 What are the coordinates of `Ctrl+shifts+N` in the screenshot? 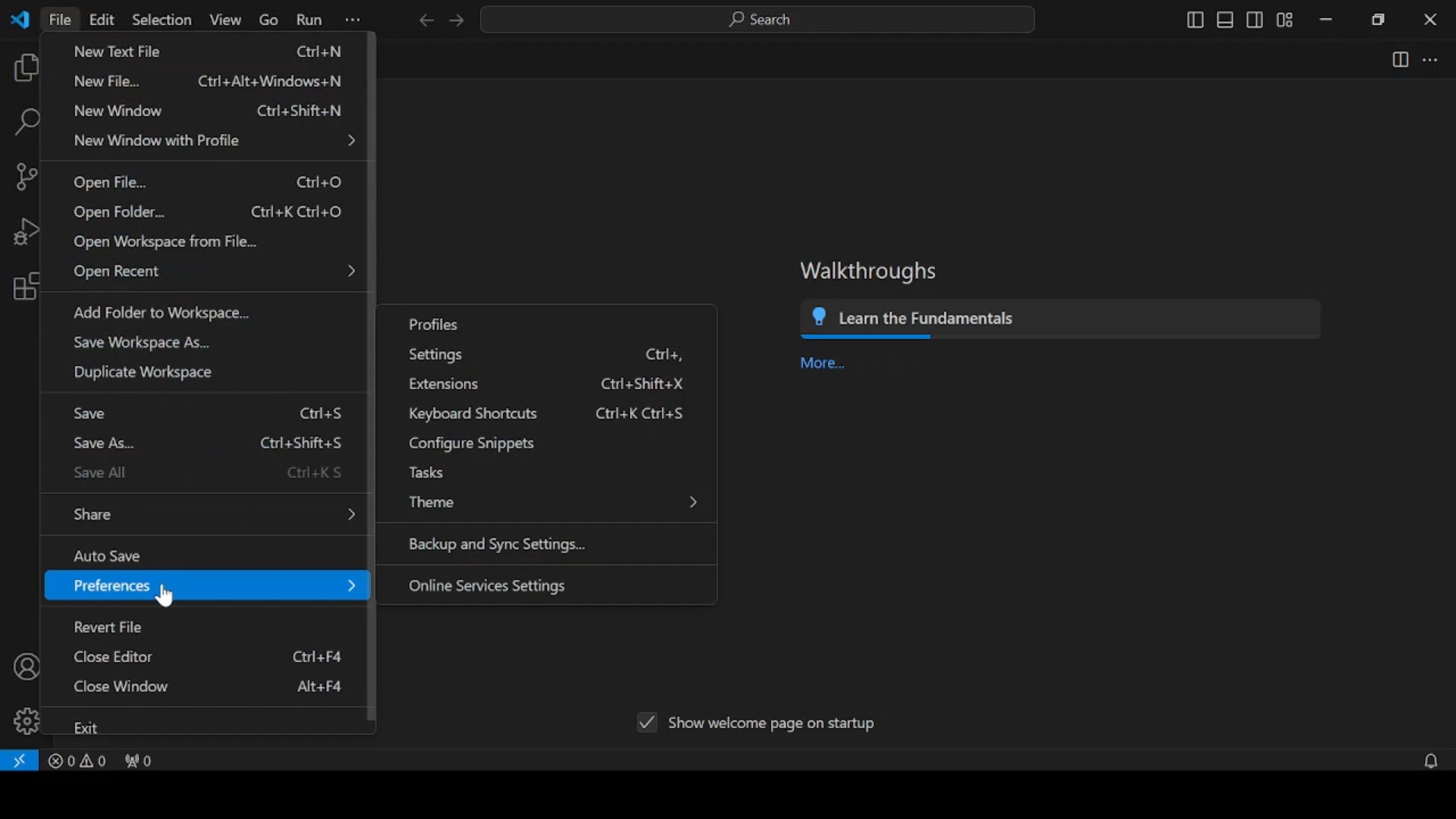 It's located at (303, 111).